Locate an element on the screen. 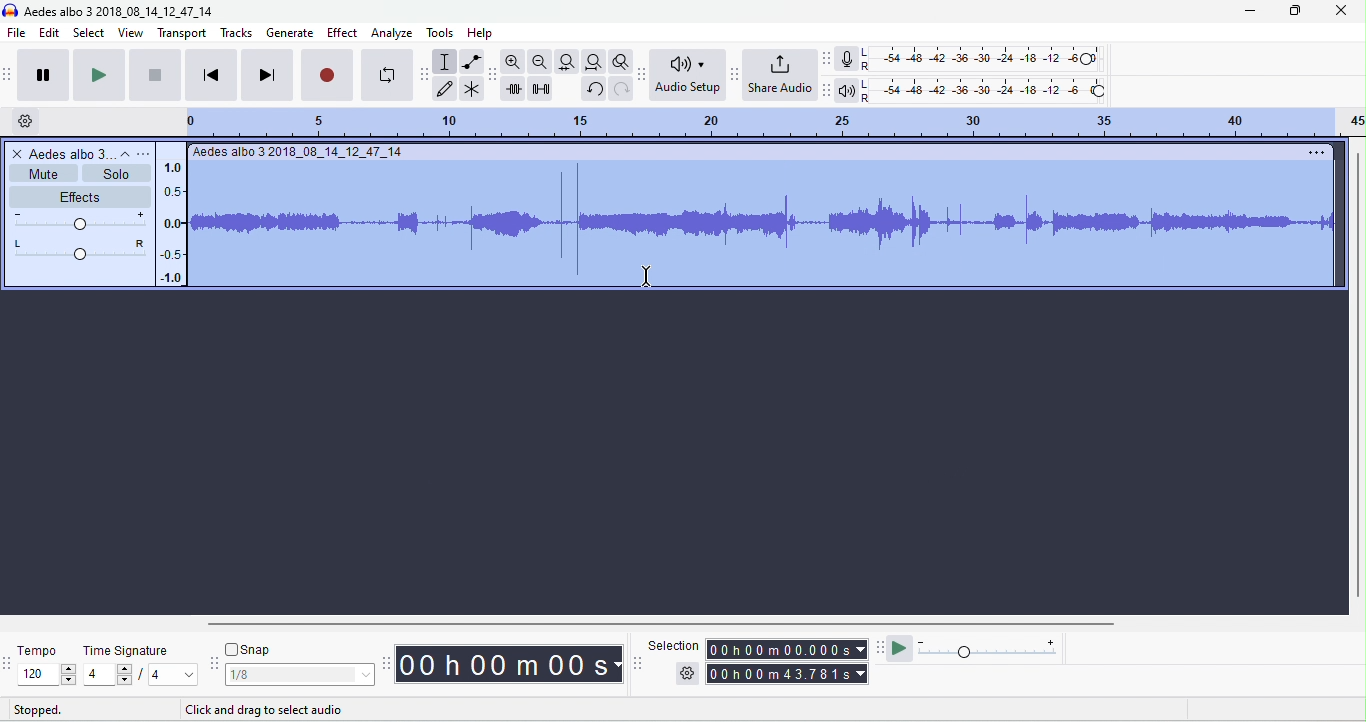 This screenshot has height=722, width=1366. recording meter toolbar is located at coordinates (828, 58).